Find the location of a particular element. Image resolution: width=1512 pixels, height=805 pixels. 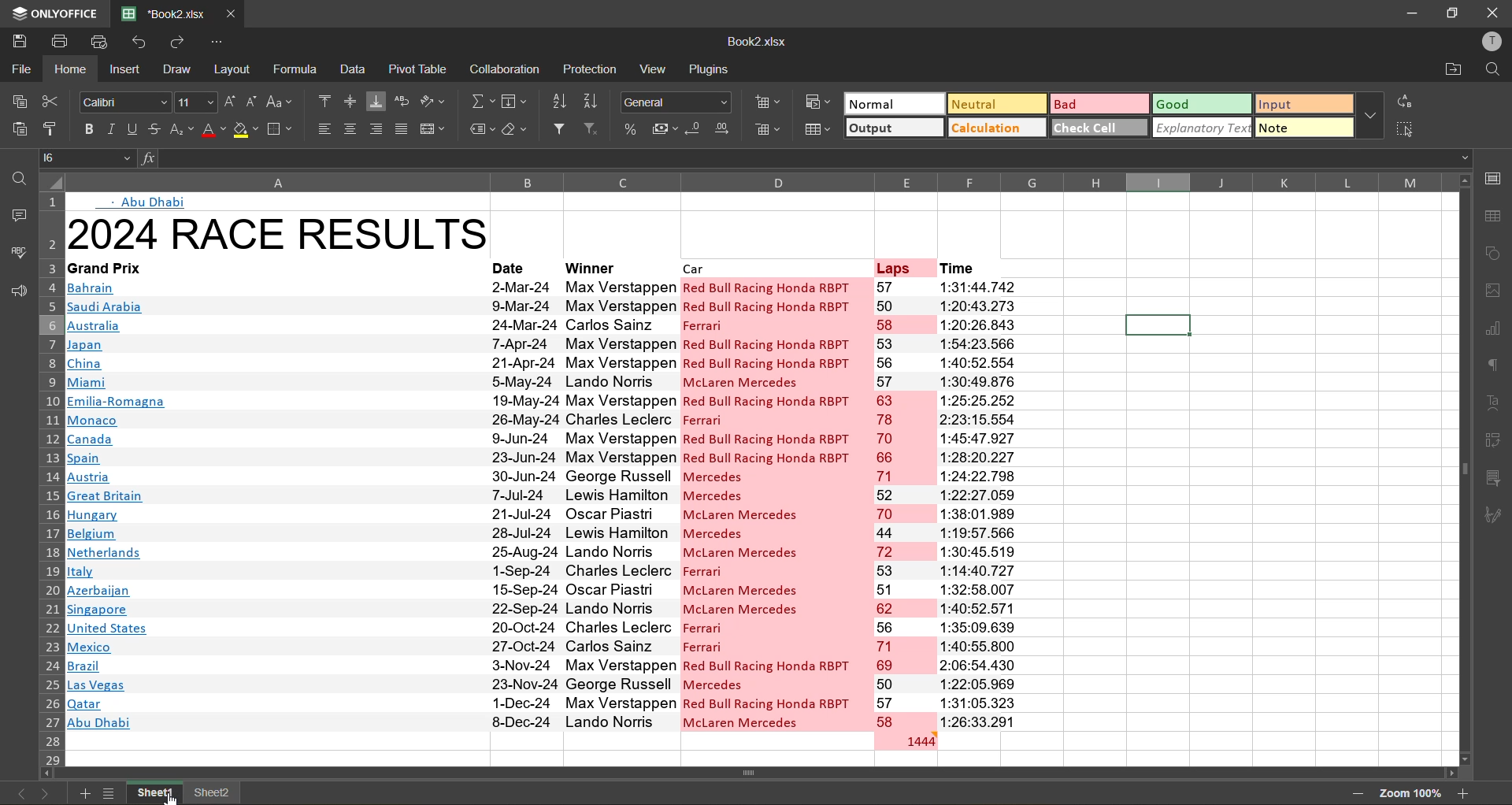

country is located at coordinates (274, 504).